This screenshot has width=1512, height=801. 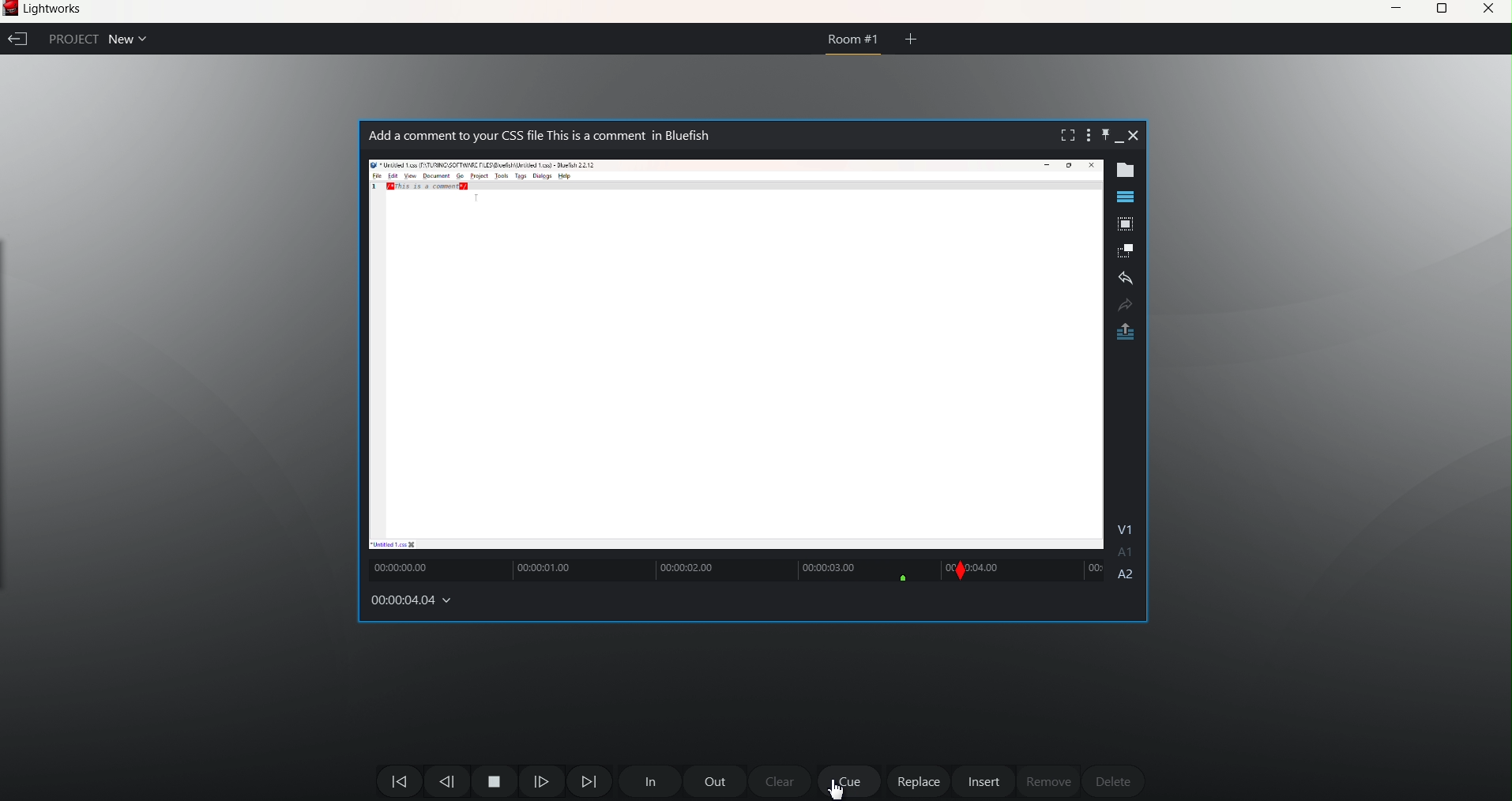 I want to click on show metadata, so click(x=1130, y=171).